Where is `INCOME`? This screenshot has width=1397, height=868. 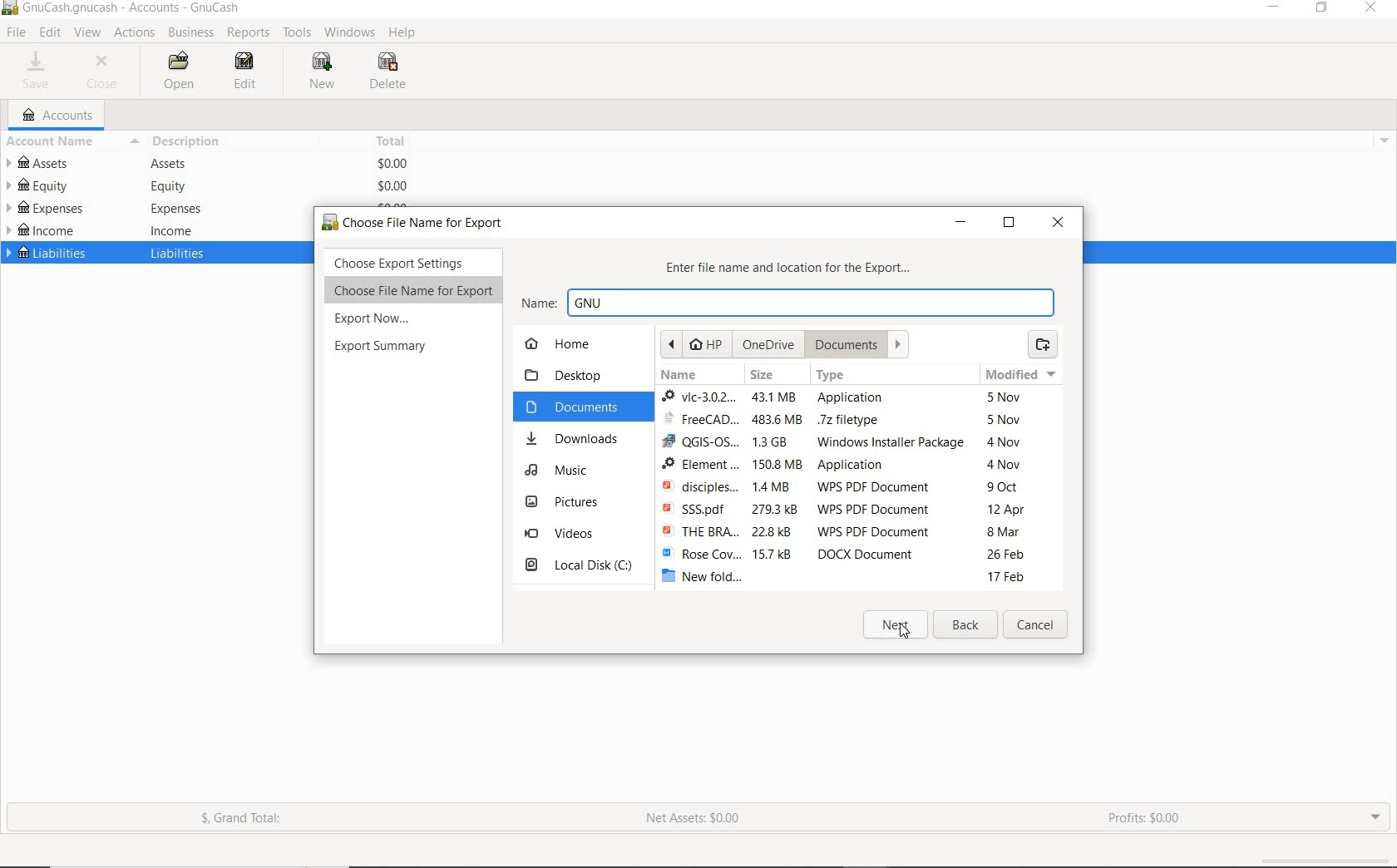
INCOME is located at coordinates (44, 230).